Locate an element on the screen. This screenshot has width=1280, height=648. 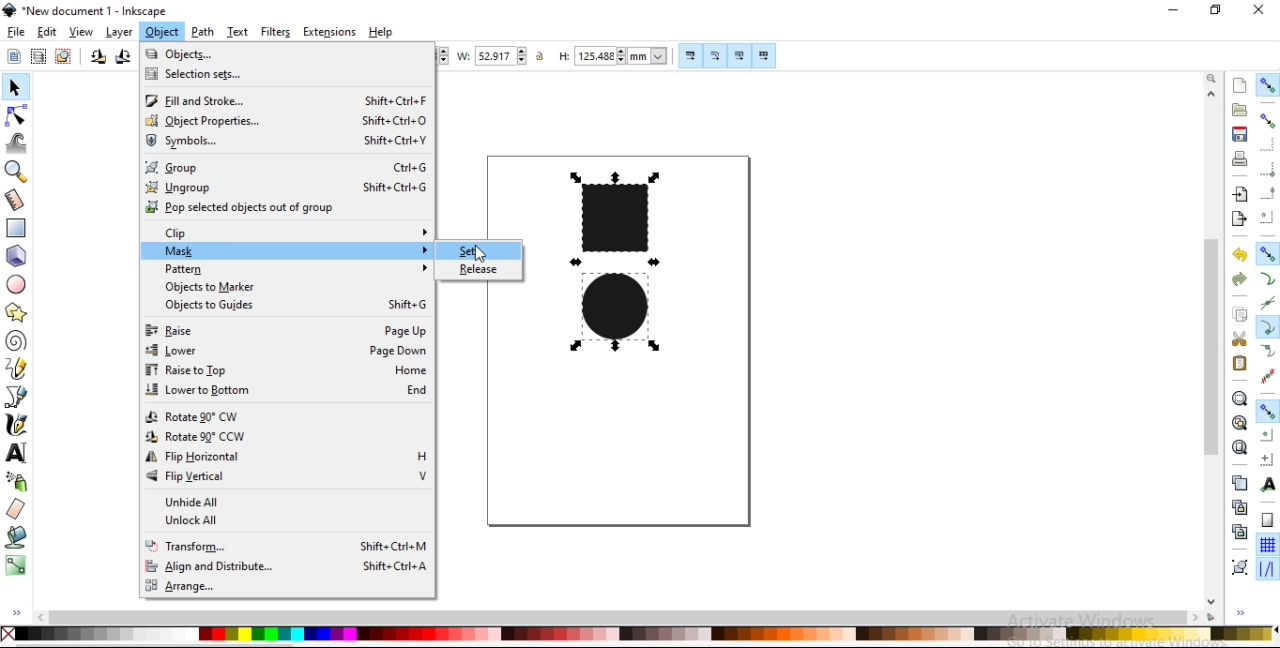
group objects is located at coordinates (1238, 567).